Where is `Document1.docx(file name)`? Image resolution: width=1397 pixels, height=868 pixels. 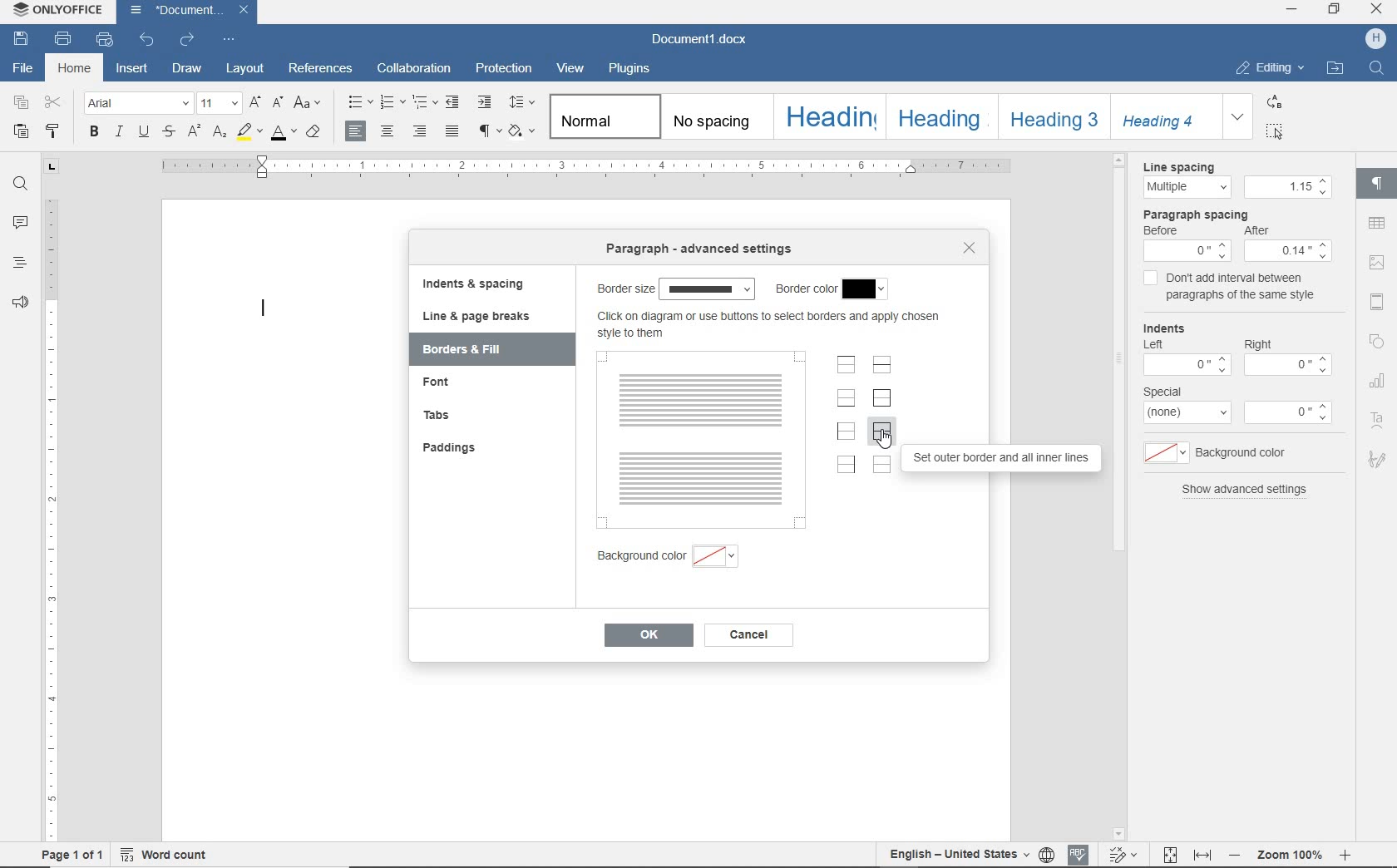
Document1.docx(file name) is located at coordinates (187, 11).